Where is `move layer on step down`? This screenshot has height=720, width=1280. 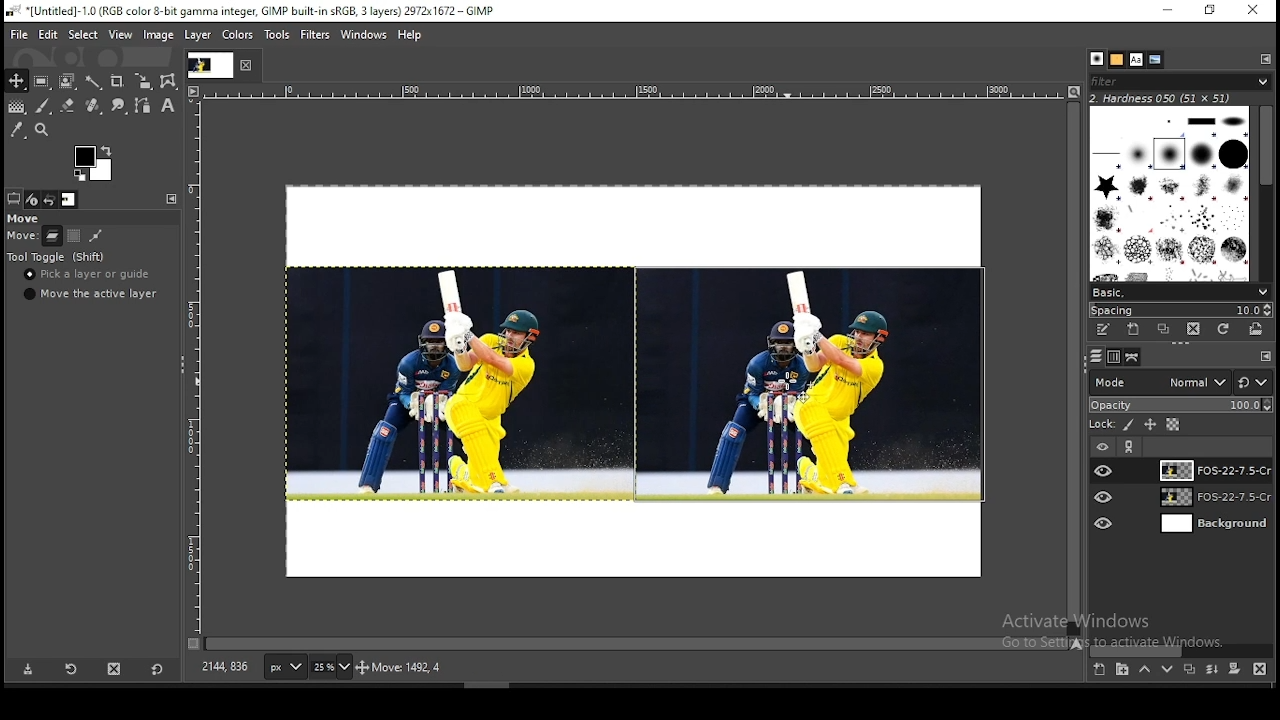 move layer on step down is located at coordinates (1168, 672).